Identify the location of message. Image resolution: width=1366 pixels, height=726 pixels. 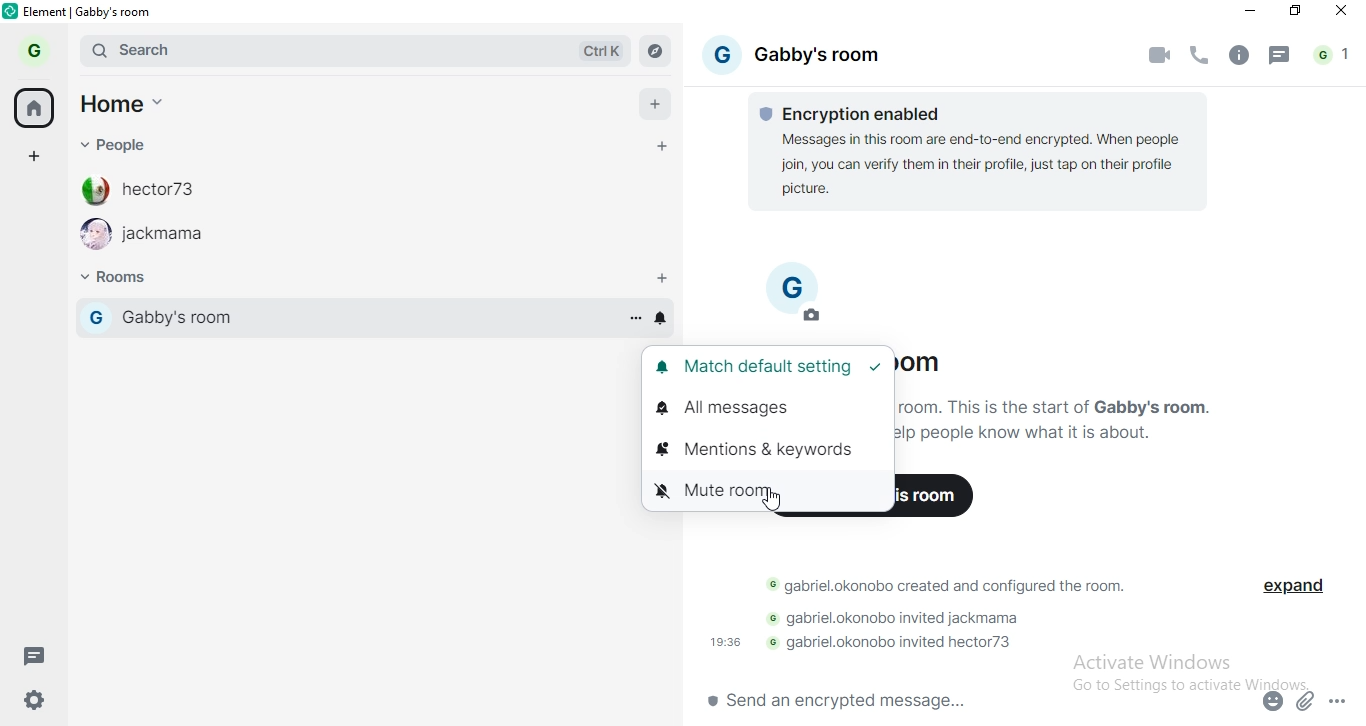
(34, 659).